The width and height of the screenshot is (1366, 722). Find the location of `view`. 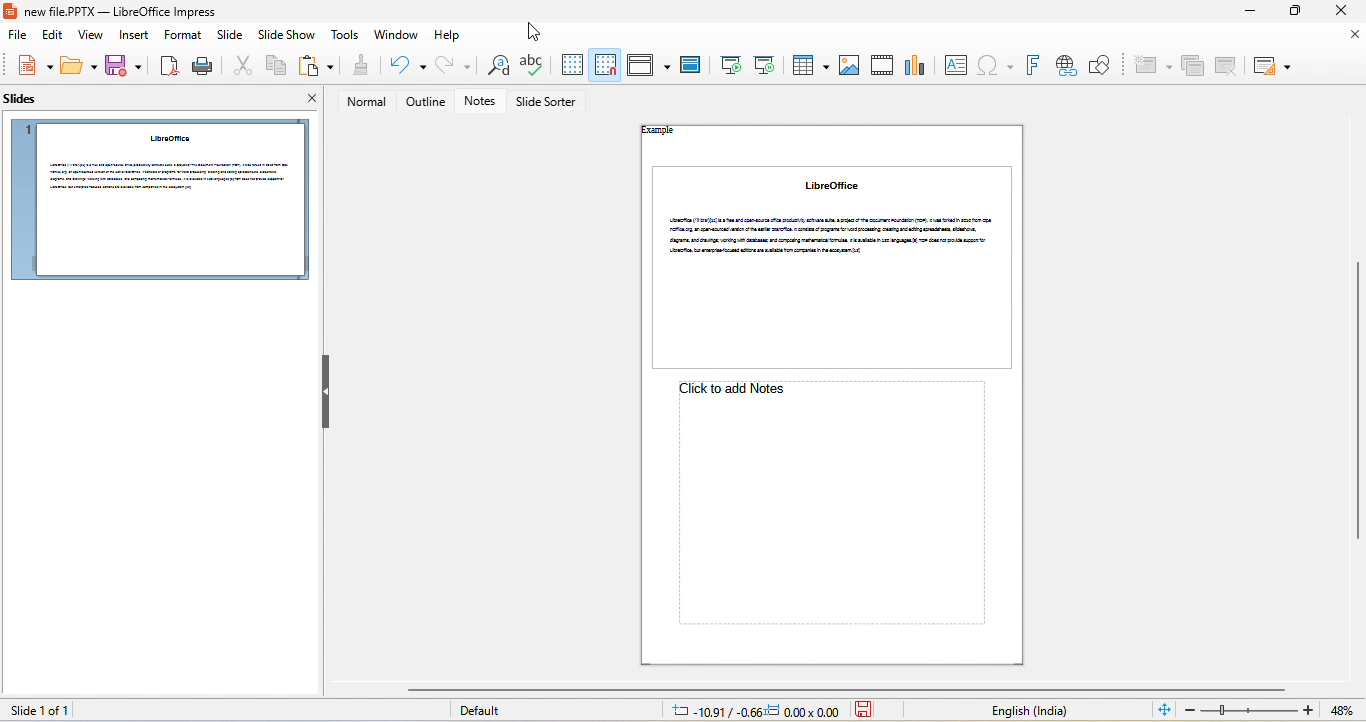

view is located at coordinates (92, 37).